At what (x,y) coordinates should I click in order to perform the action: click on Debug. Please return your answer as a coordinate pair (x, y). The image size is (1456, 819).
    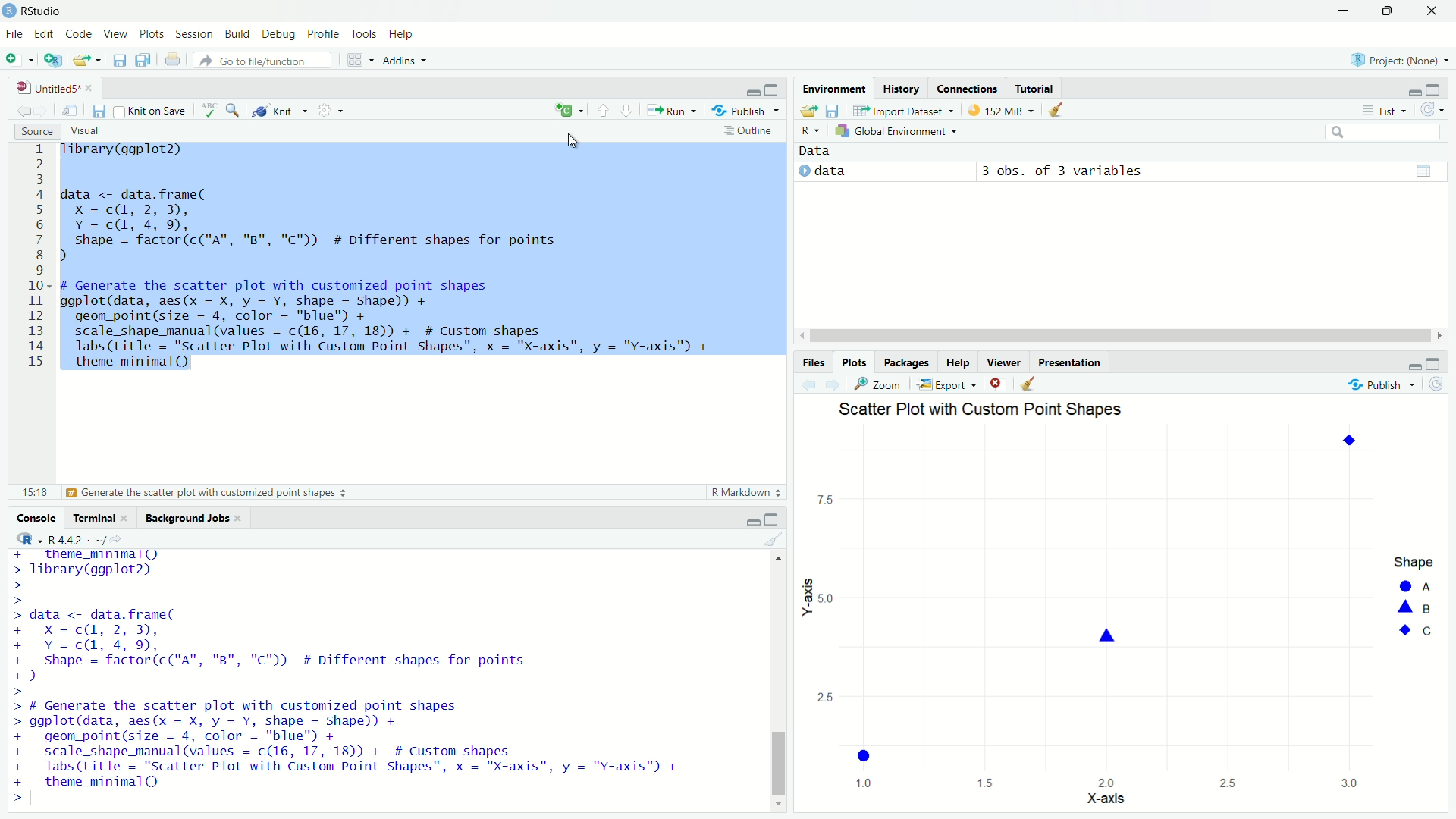
    Looking at the image, I should click on (278, 34).